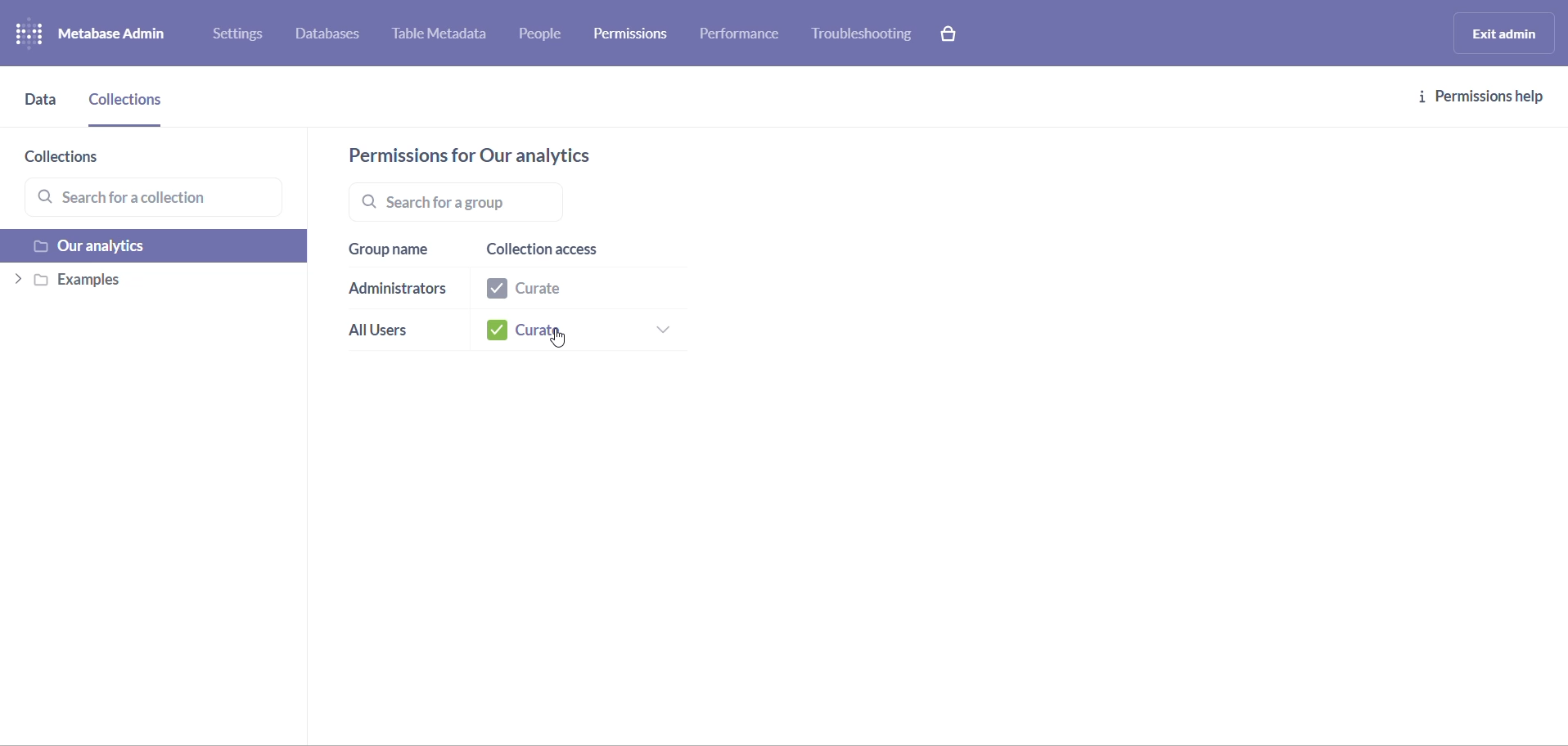 This screenshot has width=1568, height=746. Describe the element at coordinates (863, 34) in the screenshot. I see `troubleshooting` at that location.